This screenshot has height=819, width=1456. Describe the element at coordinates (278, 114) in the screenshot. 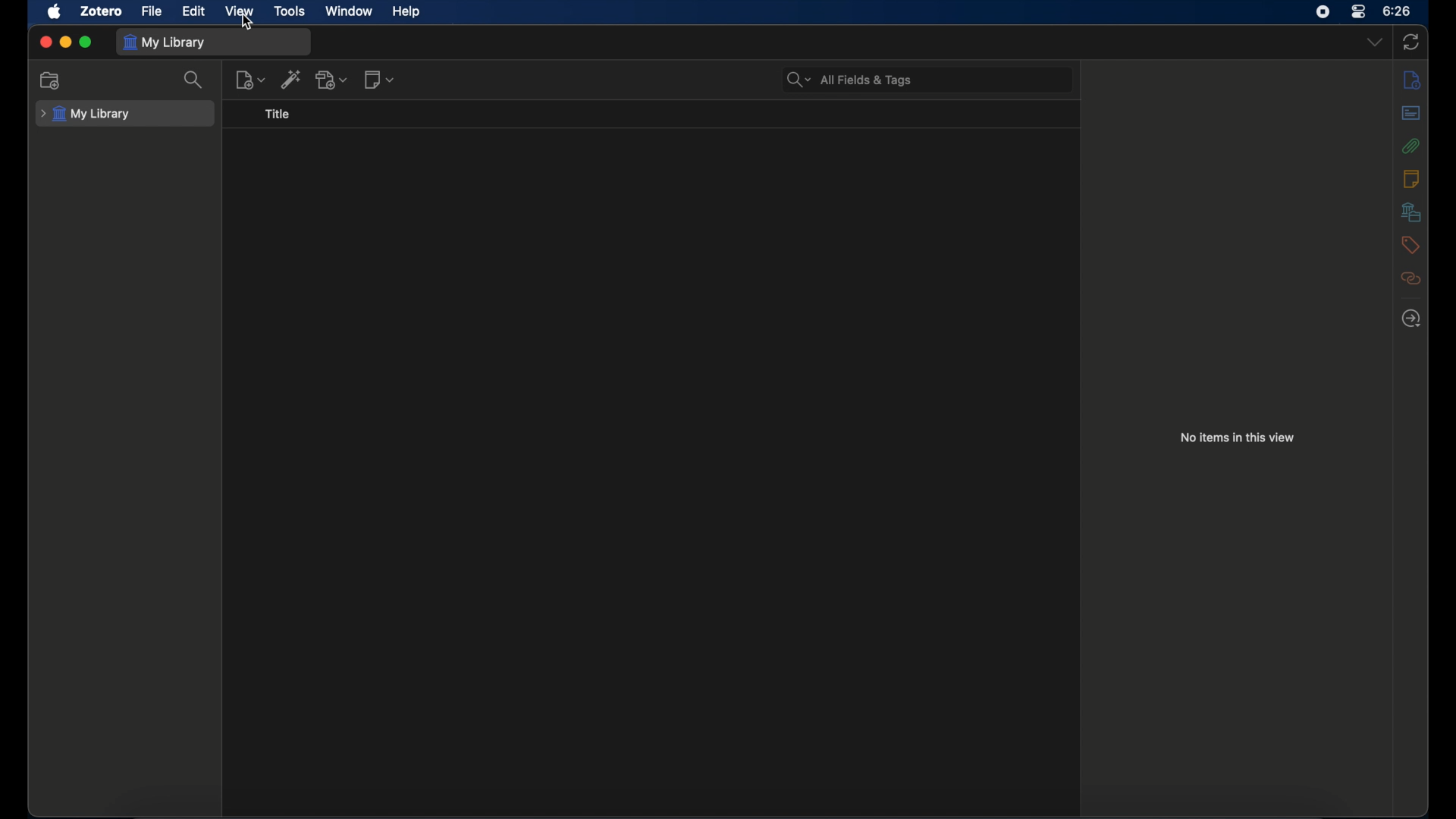

I see `title` at that location.